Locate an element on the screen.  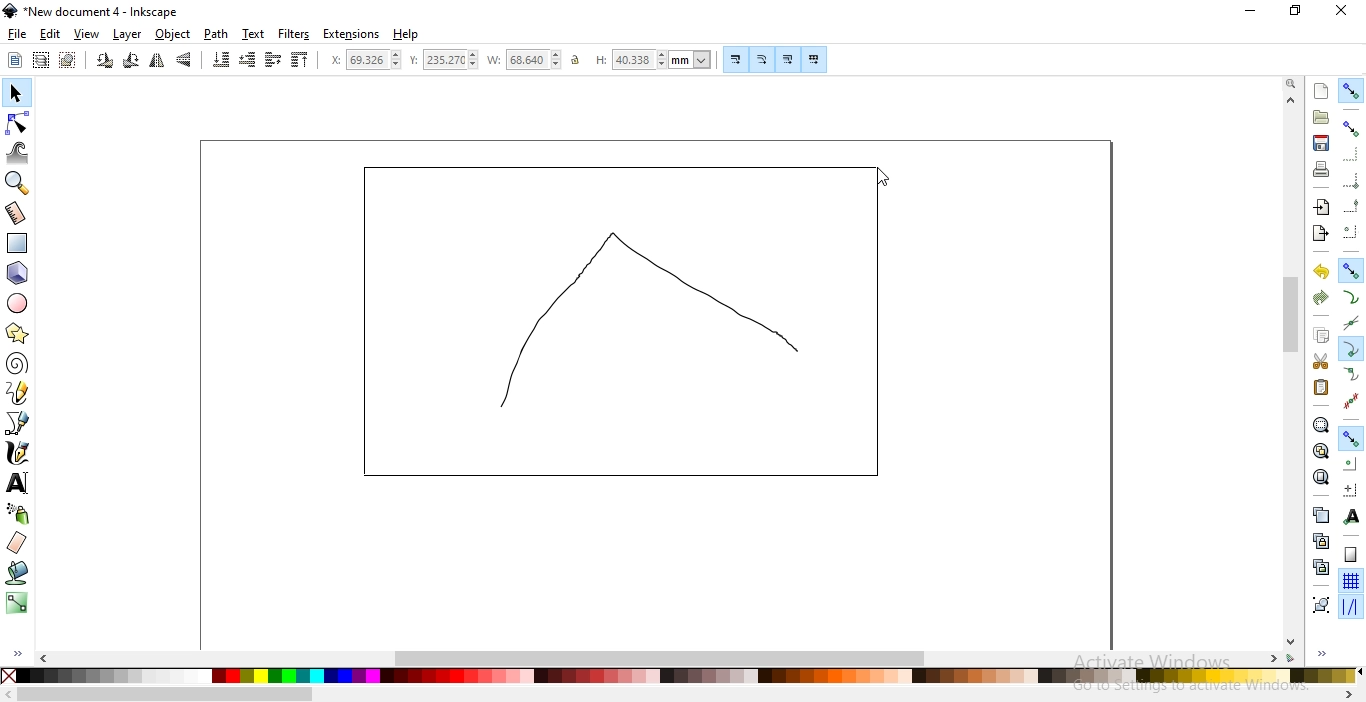
select and transform objects is located at coordinates (18, 94).